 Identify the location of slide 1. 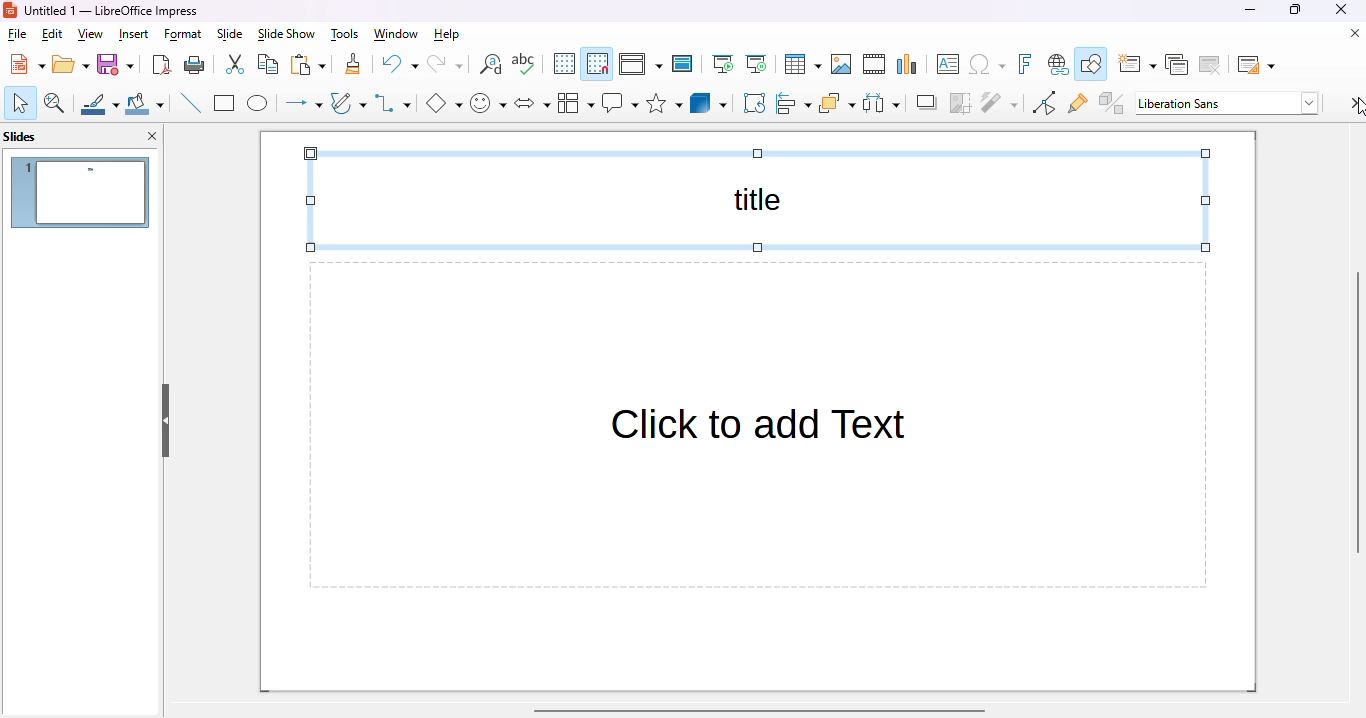
(82, 193).